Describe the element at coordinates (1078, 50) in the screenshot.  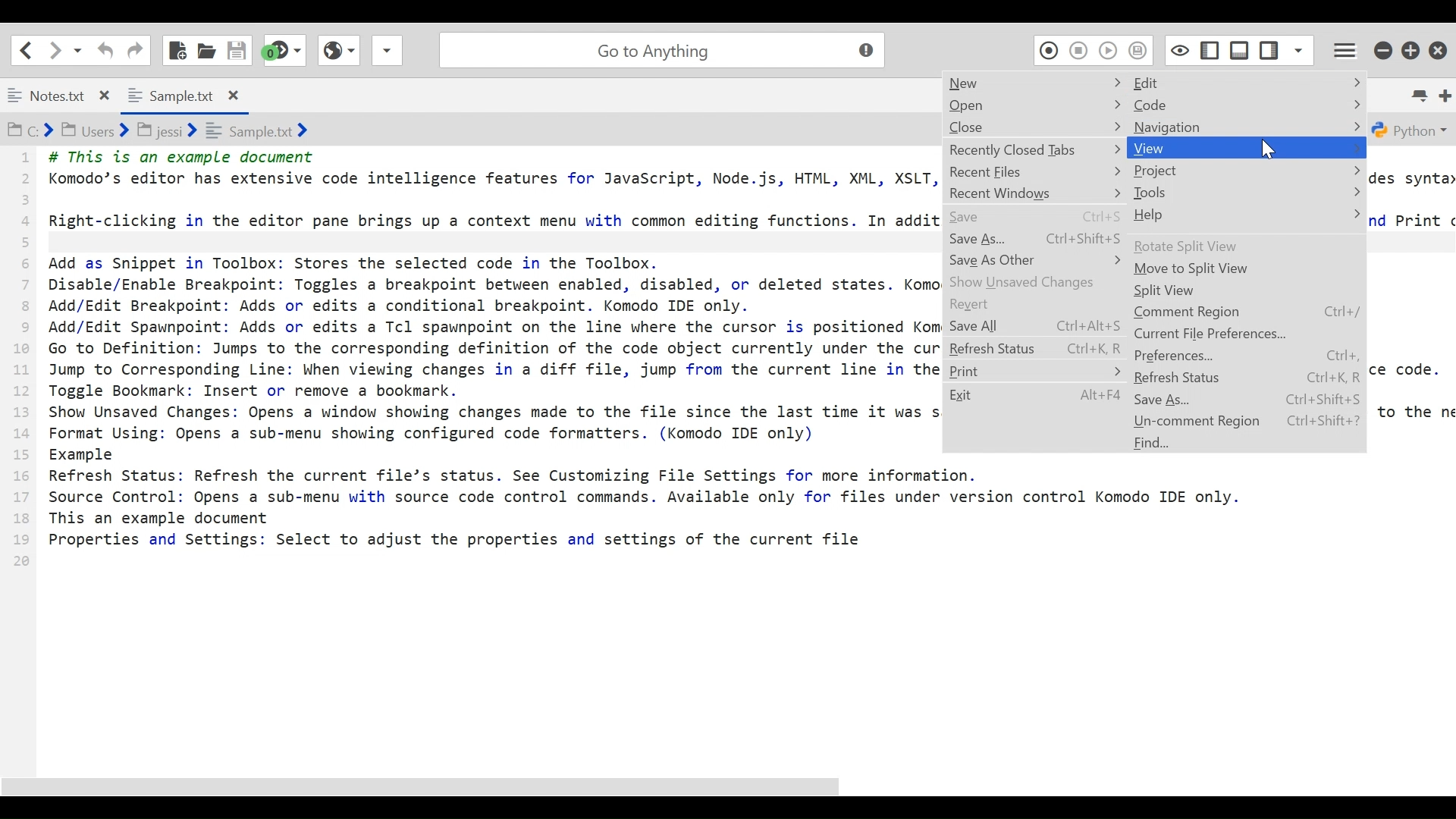
I see `Stop Recording Macro` at that location.